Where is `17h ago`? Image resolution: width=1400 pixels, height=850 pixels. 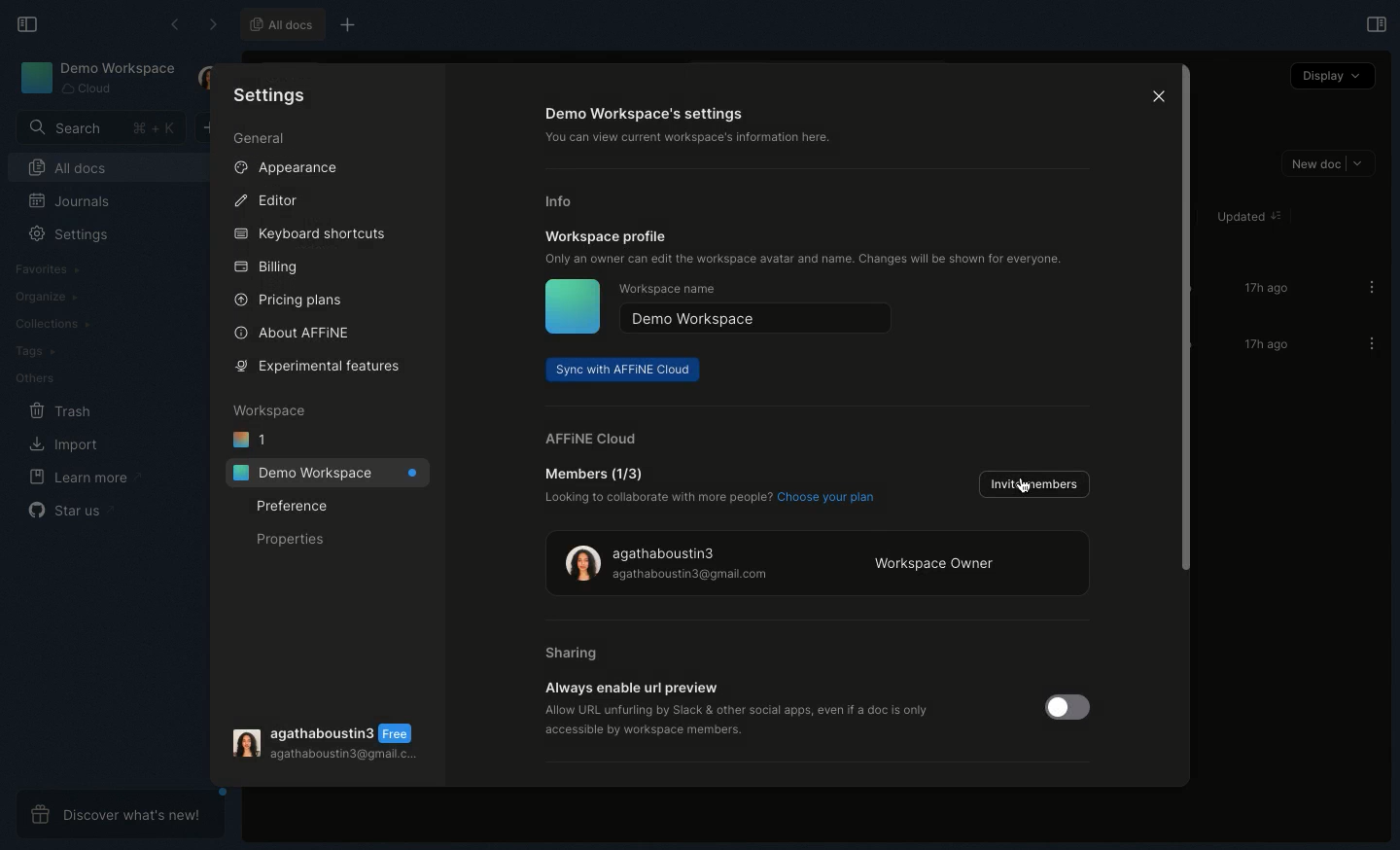 17h ago is located at coordinates (1262, 290).